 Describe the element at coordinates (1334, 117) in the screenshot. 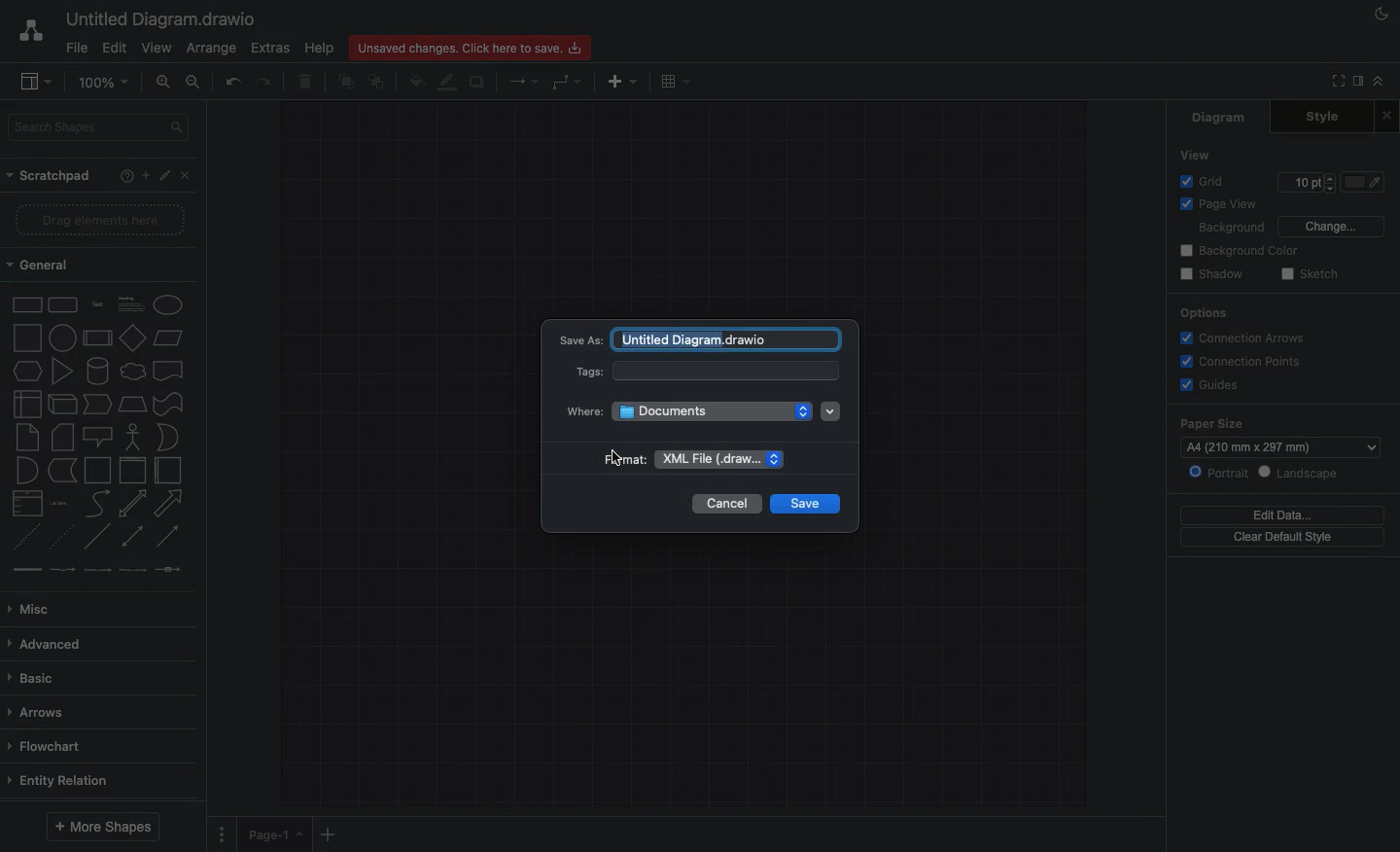

I see `Style` at that location.